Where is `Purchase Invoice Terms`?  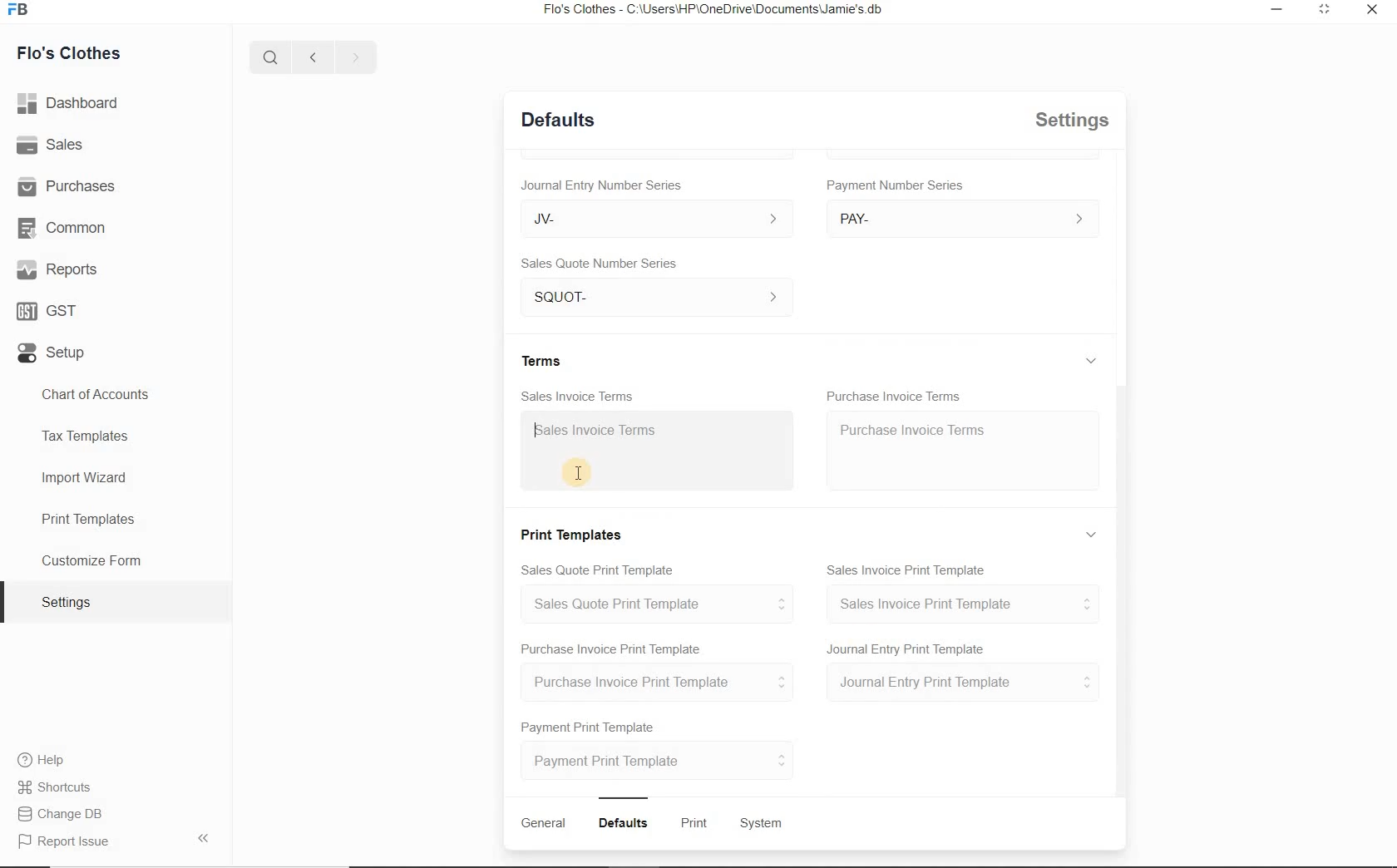
Purchase Invoice Terms is located at coordinates (964, 450).